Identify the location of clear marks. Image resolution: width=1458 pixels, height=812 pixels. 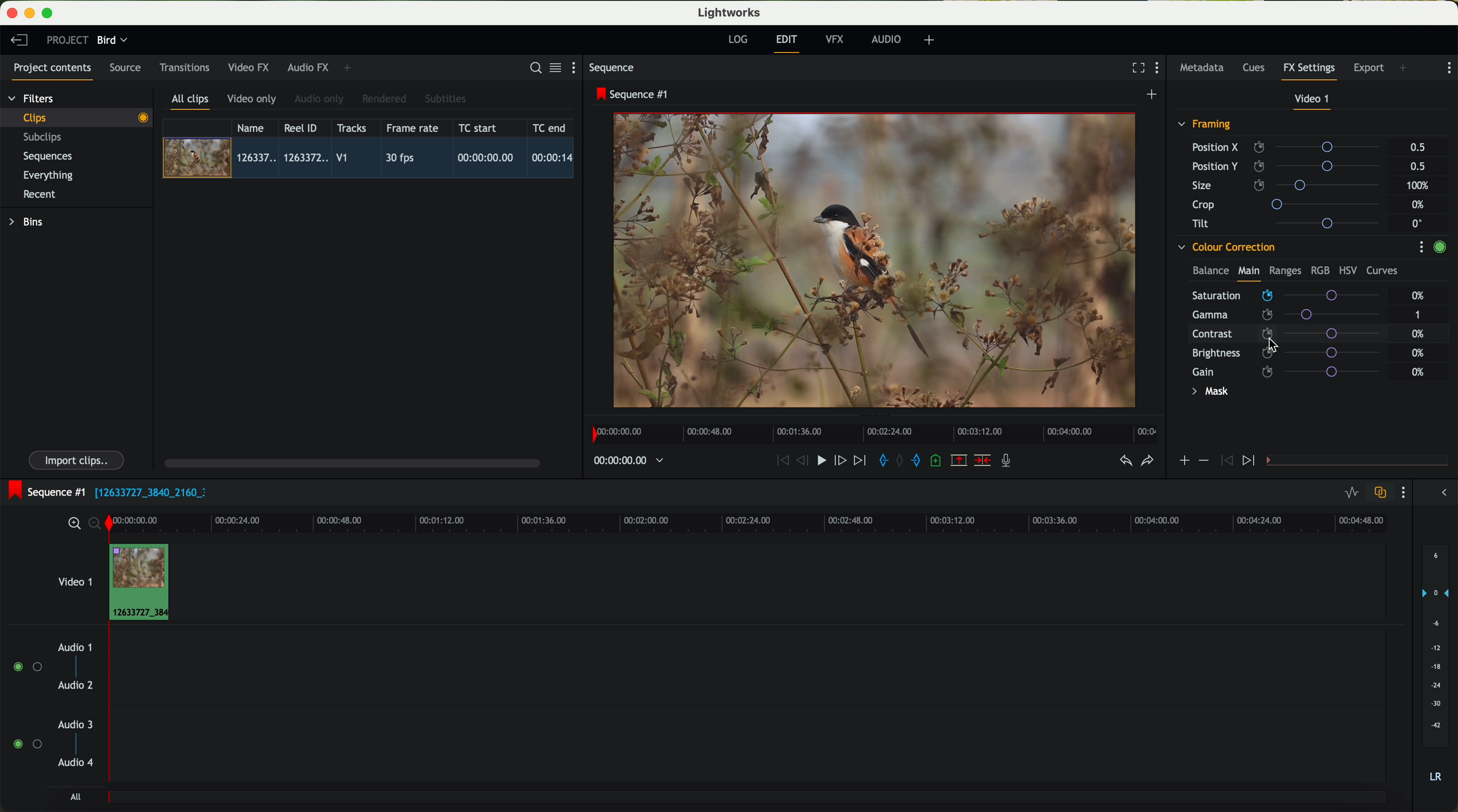
(900, 461).